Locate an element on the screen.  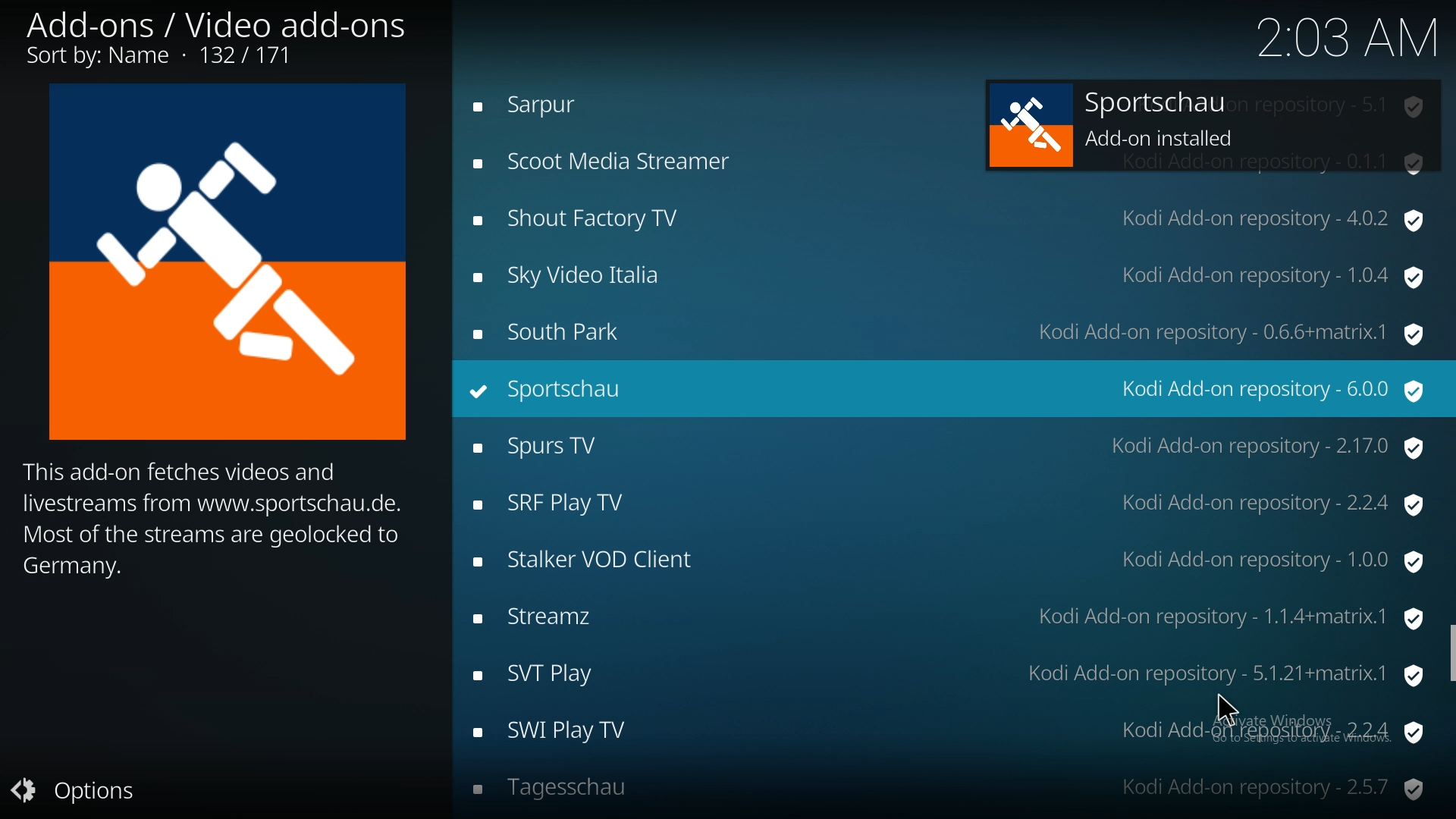
spurs tv is located at coordinates (952, 450).